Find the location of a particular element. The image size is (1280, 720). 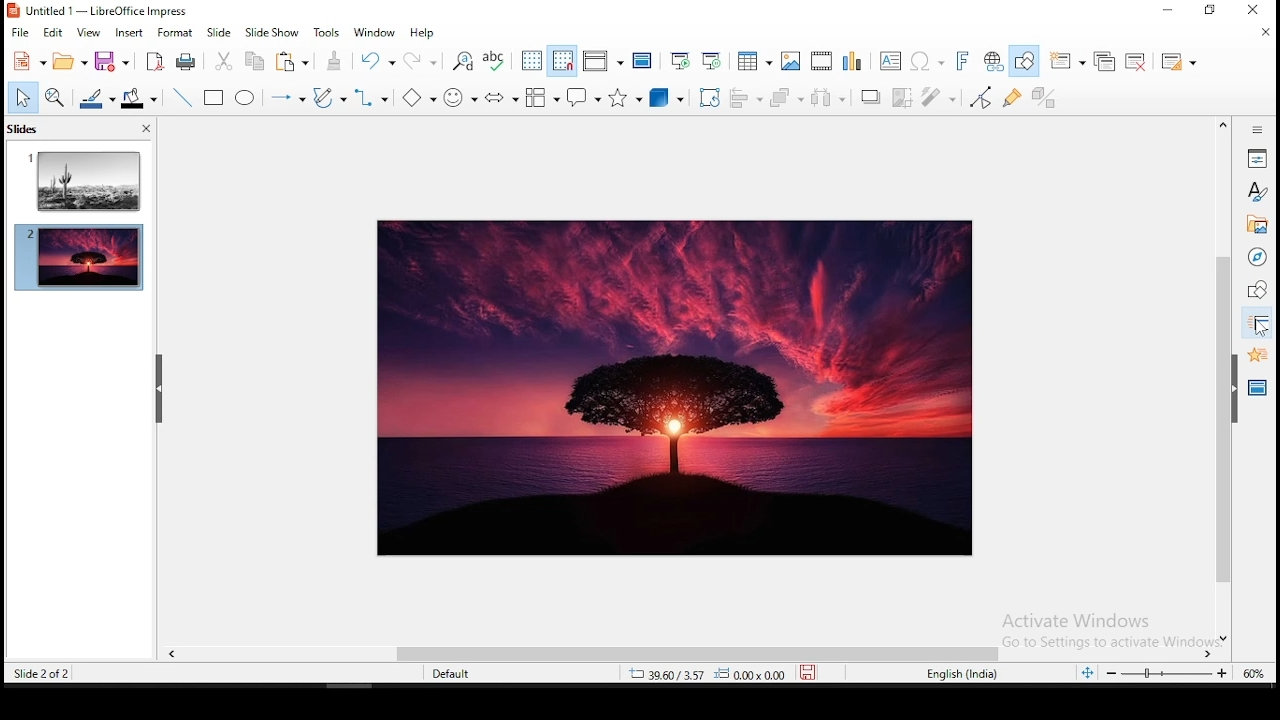

show draw functions is located at coordinates (1023, 61).